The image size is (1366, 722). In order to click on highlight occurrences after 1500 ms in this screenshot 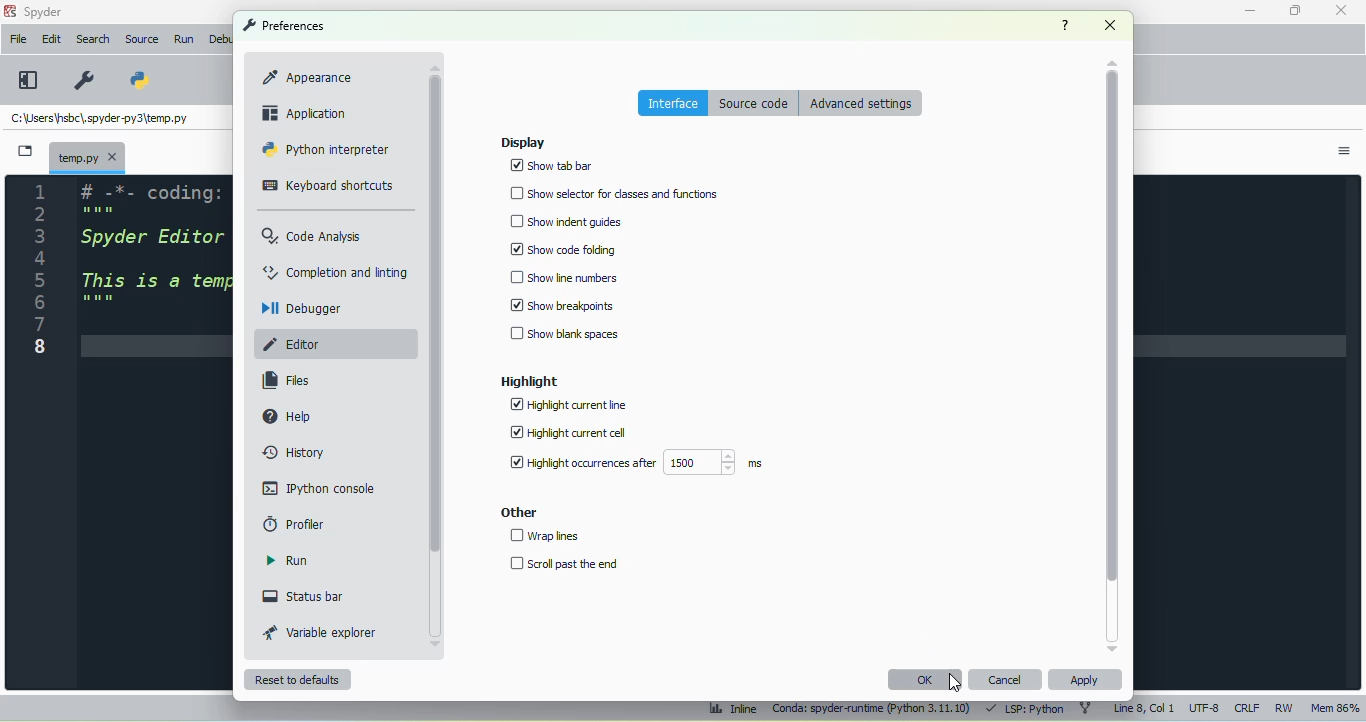, I will do `click(635, 462)`.